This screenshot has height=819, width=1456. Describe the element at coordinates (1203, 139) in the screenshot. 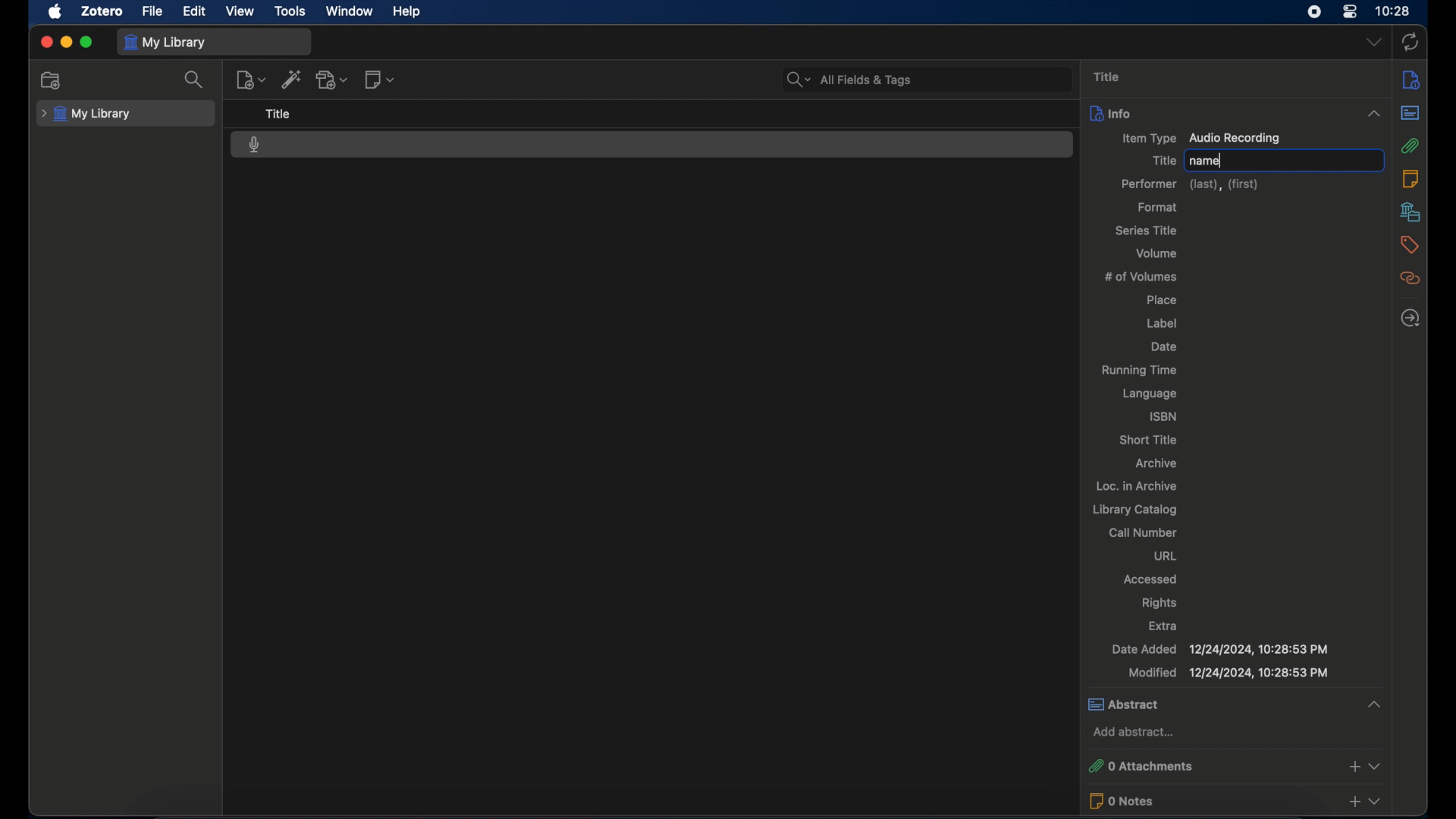

I see `item type` at that location.